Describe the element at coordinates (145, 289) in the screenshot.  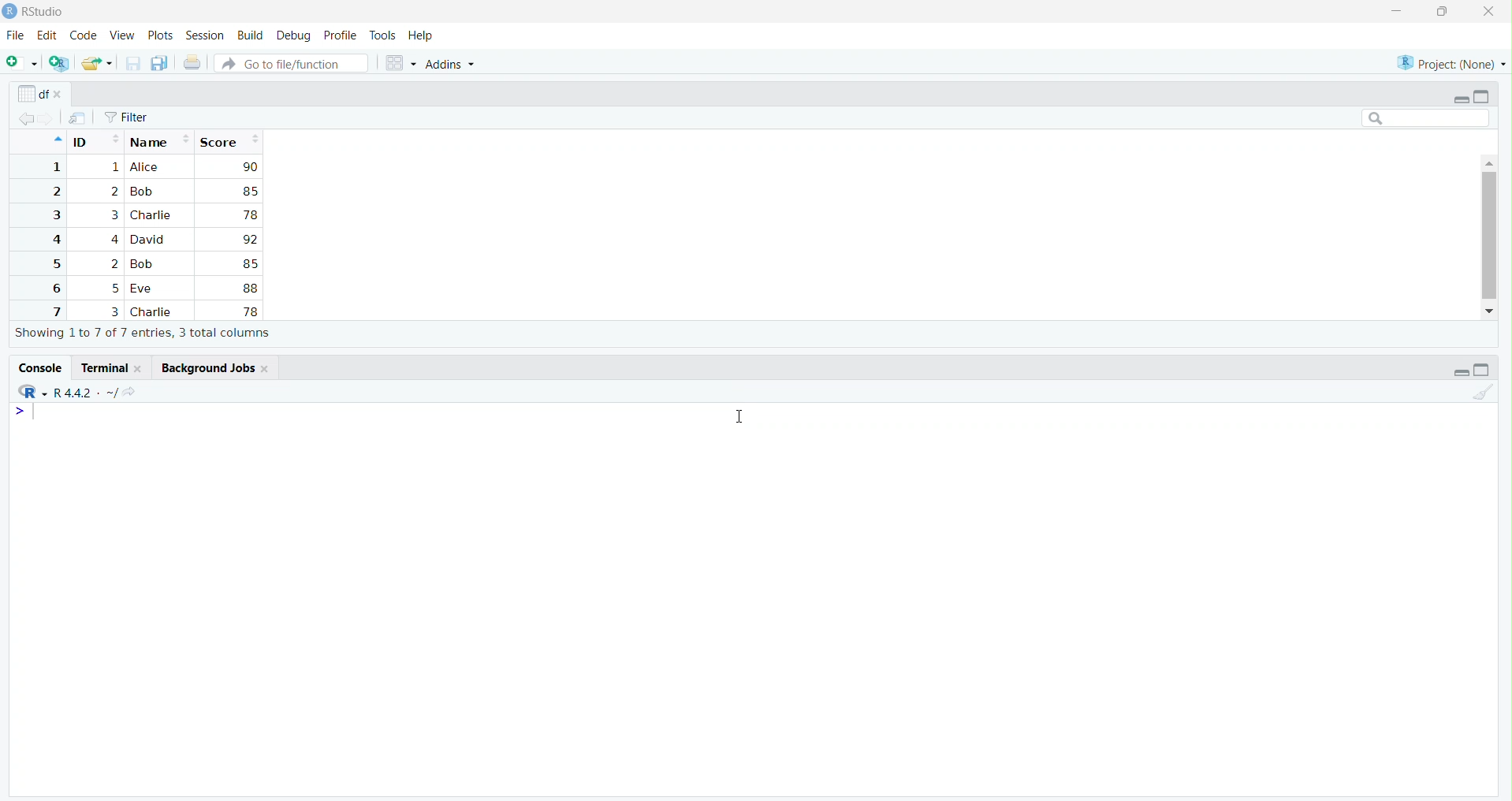
I see `Eve` at that location.